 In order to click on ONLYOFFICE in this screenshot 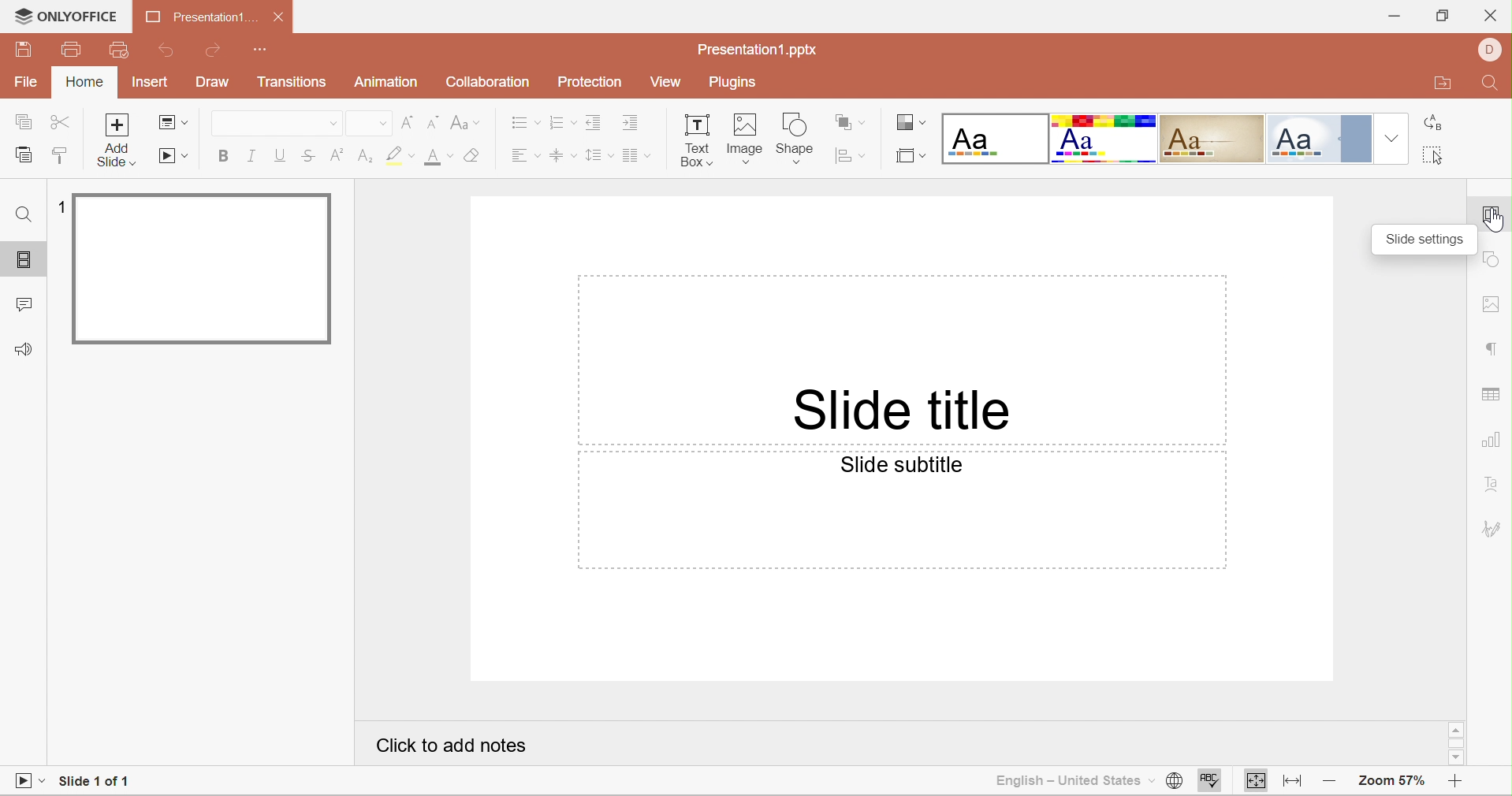, I will do `click(62, 18)`.